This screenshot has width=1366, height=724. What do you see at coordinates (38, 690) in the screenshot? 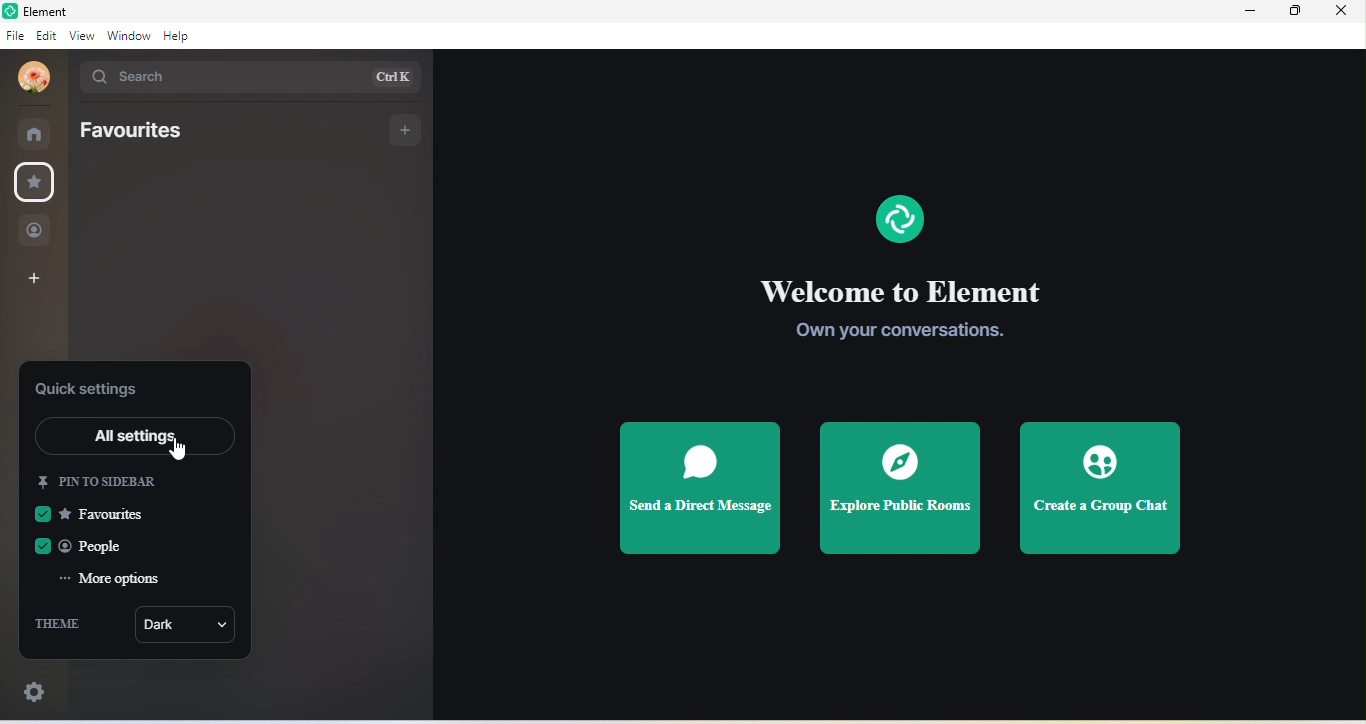
I see `quick settings` at bounding box center [38, 690].